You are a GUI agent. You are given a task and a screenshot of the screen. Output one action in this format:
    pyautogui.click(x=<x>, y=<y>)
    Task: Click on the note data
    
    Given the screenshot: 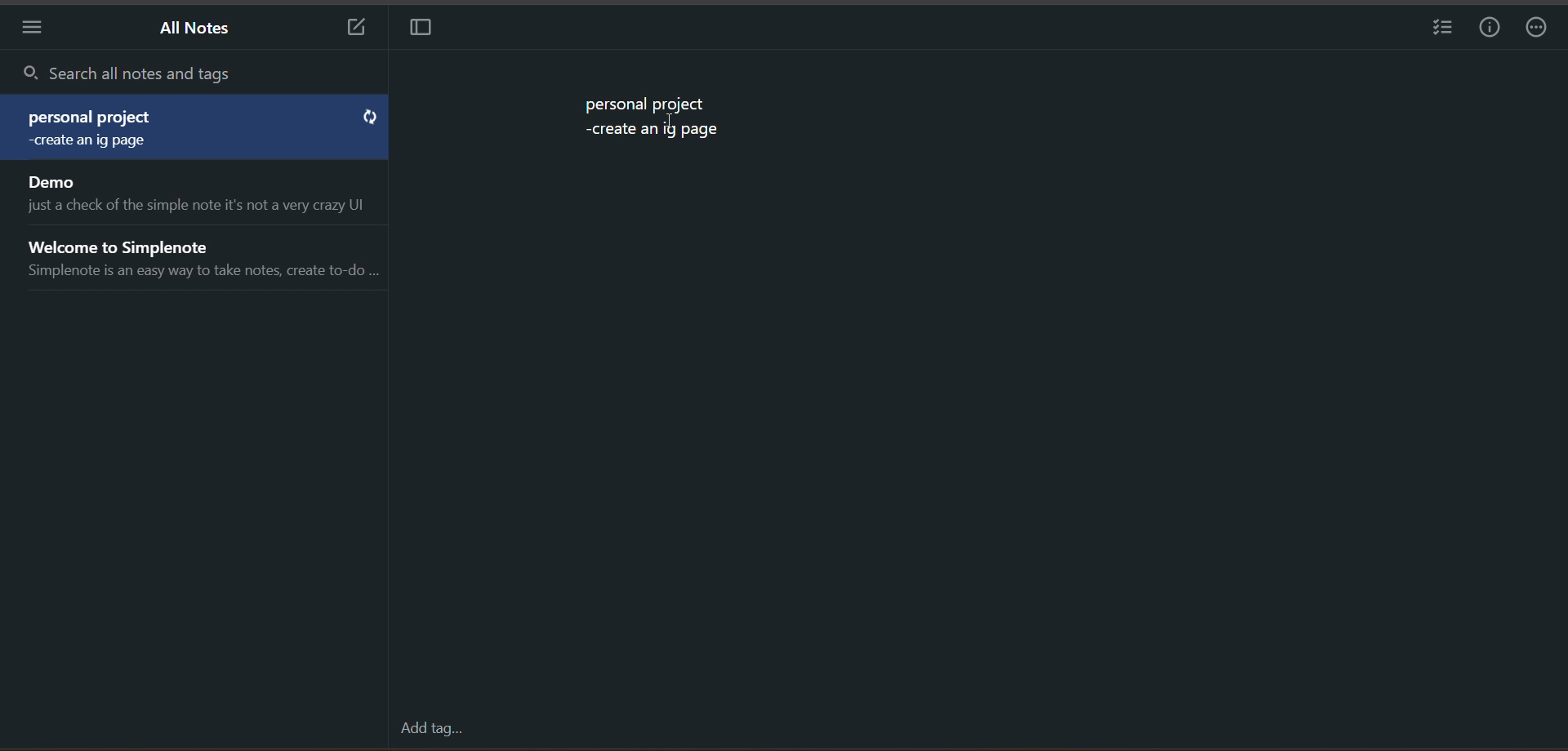 What is the action you would take?
    pyautogui.click(x=102, y=144)
    